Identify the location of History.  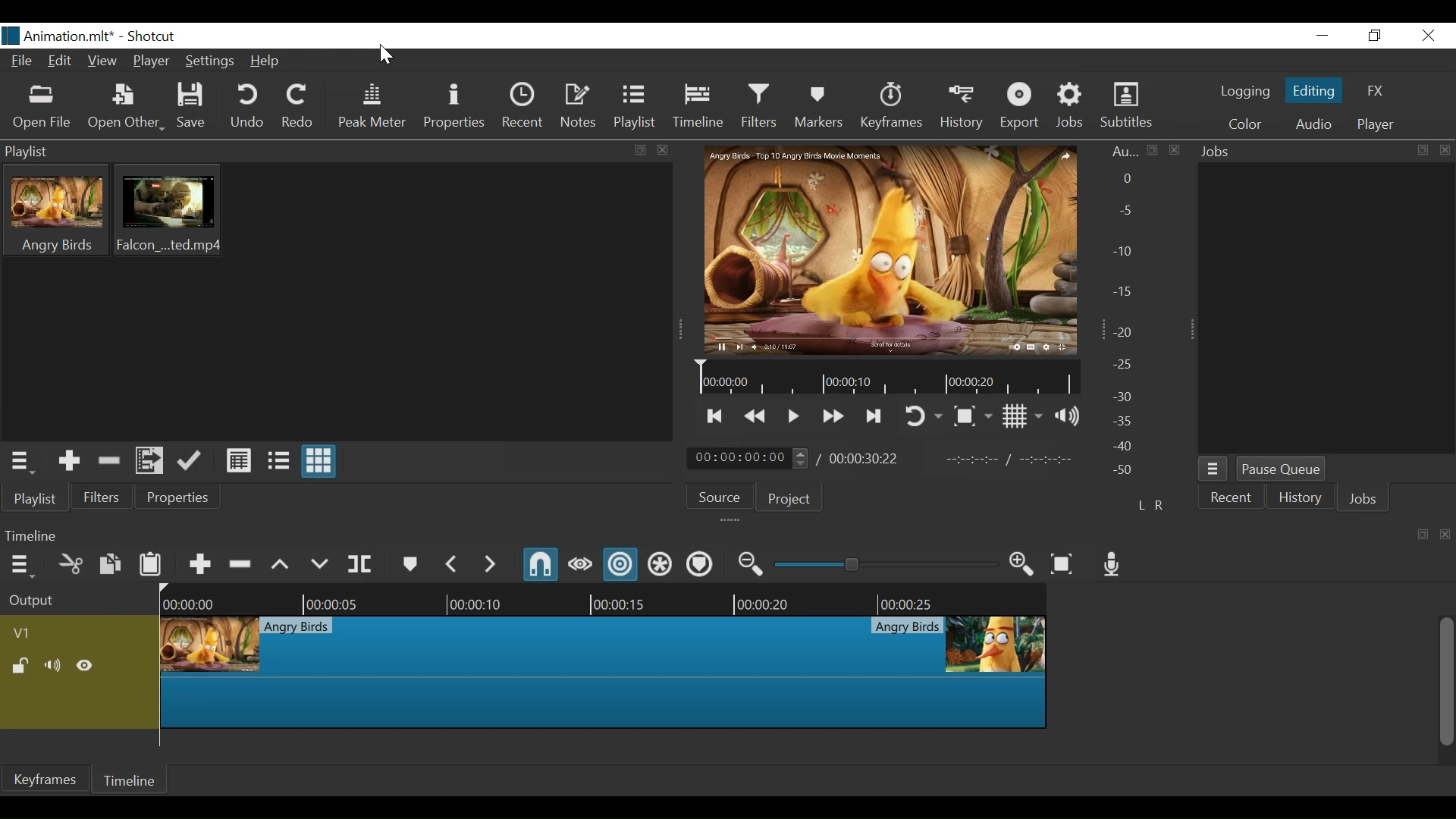
(1301, 499).